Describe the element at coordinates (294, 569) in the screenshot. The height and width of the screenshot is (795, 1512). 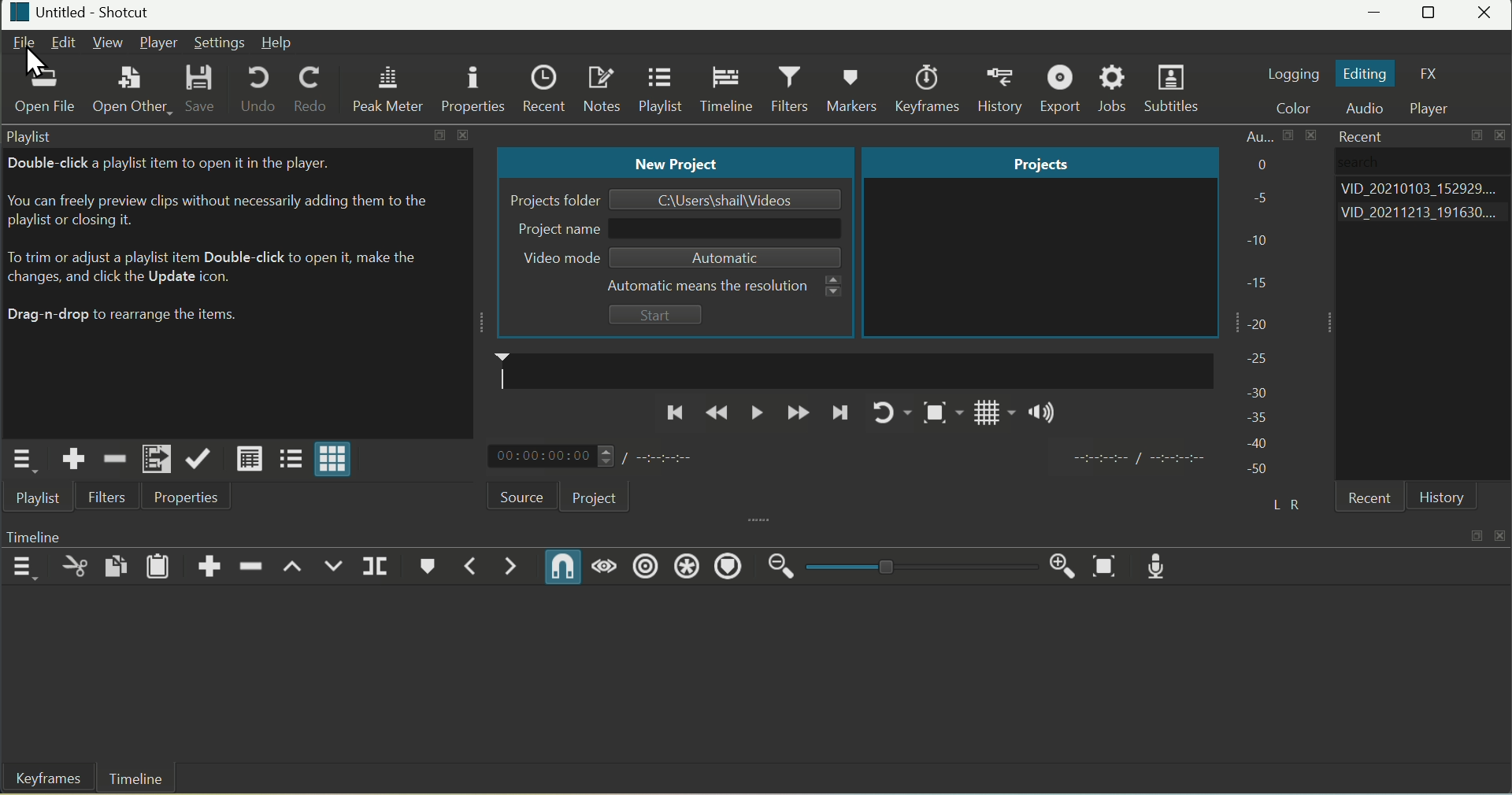
I see `Lift` at that location.